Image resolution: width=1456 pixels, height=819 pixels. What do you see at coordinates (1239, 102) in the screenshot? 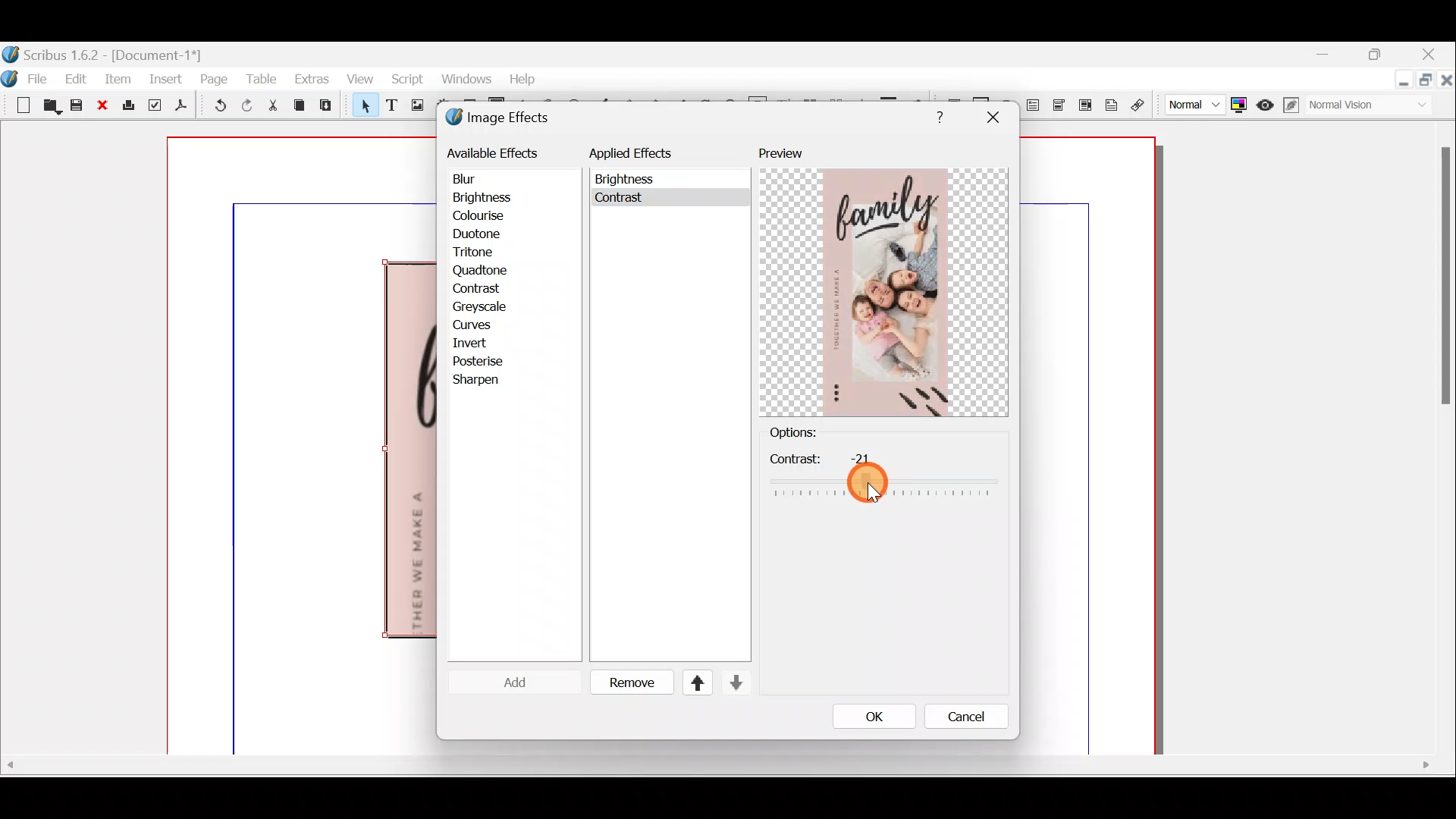
I see `Toggle colour management system` at bounding box center [1239, 102].